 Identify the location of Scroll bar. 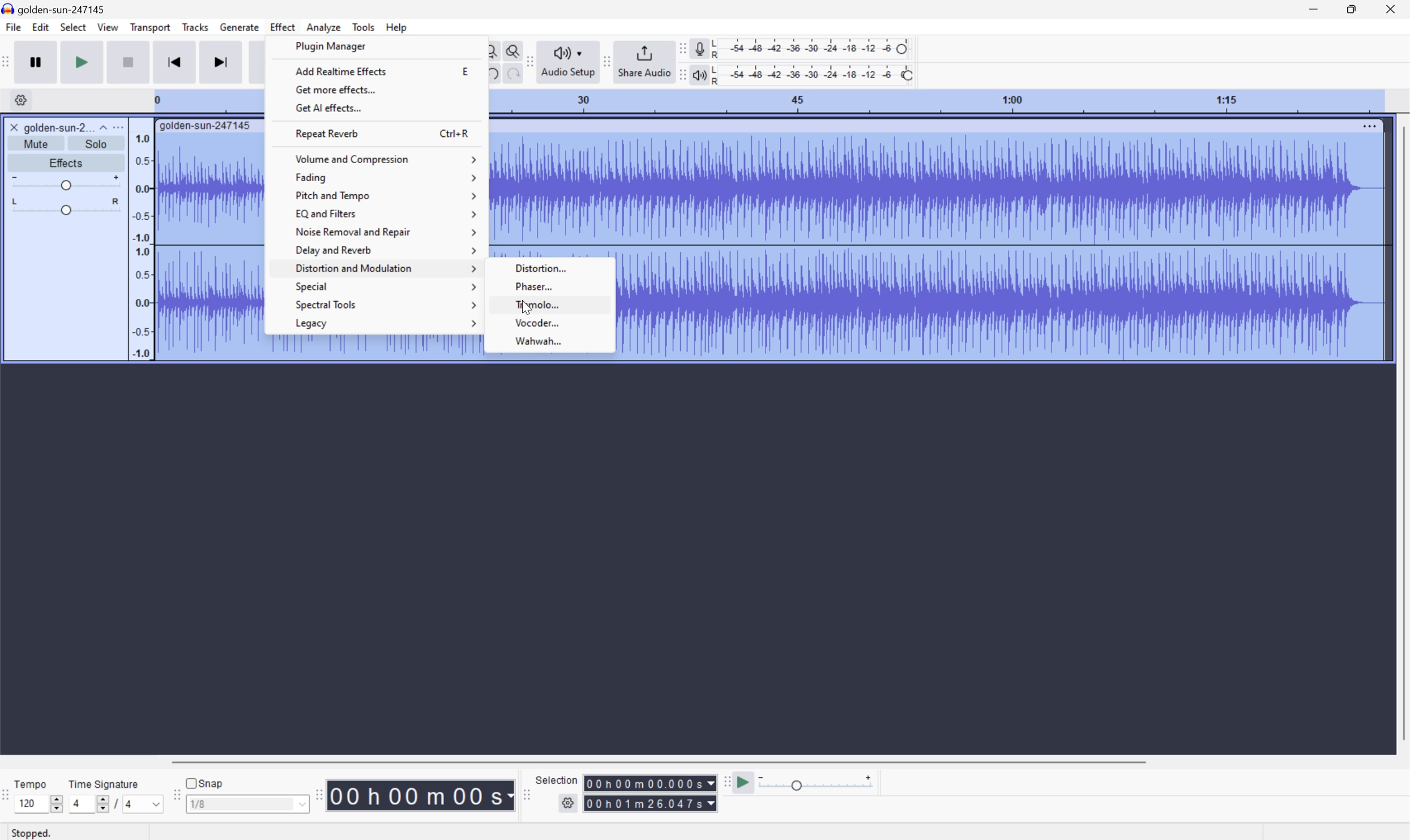
(665, 760).